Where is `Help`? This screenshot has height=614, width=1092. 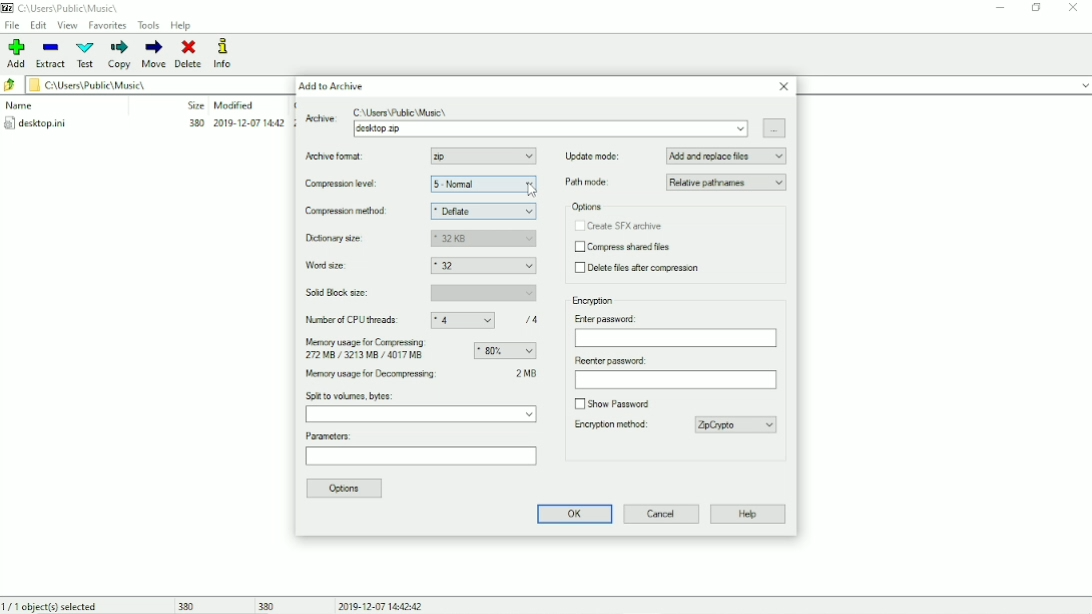 Help is located at coordinates (181, 26).